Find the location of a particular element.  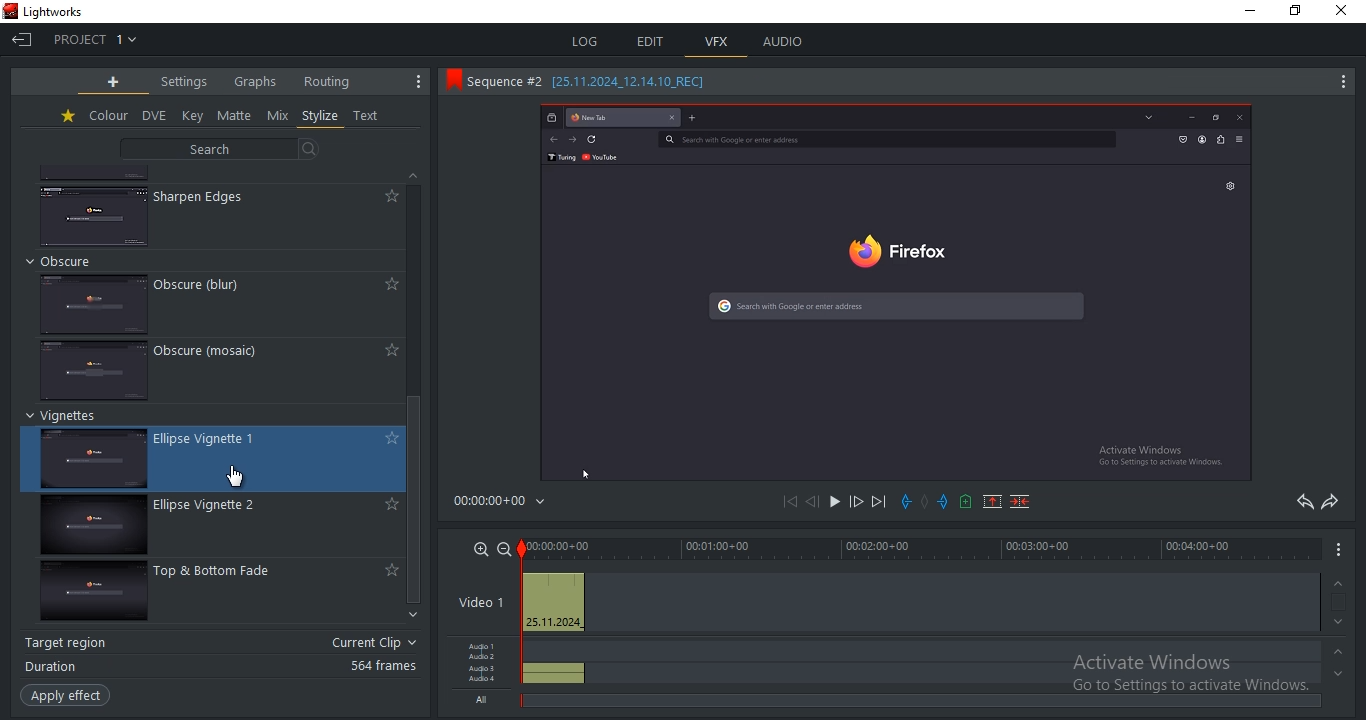

minimize is located at coordinates (1254, 12).